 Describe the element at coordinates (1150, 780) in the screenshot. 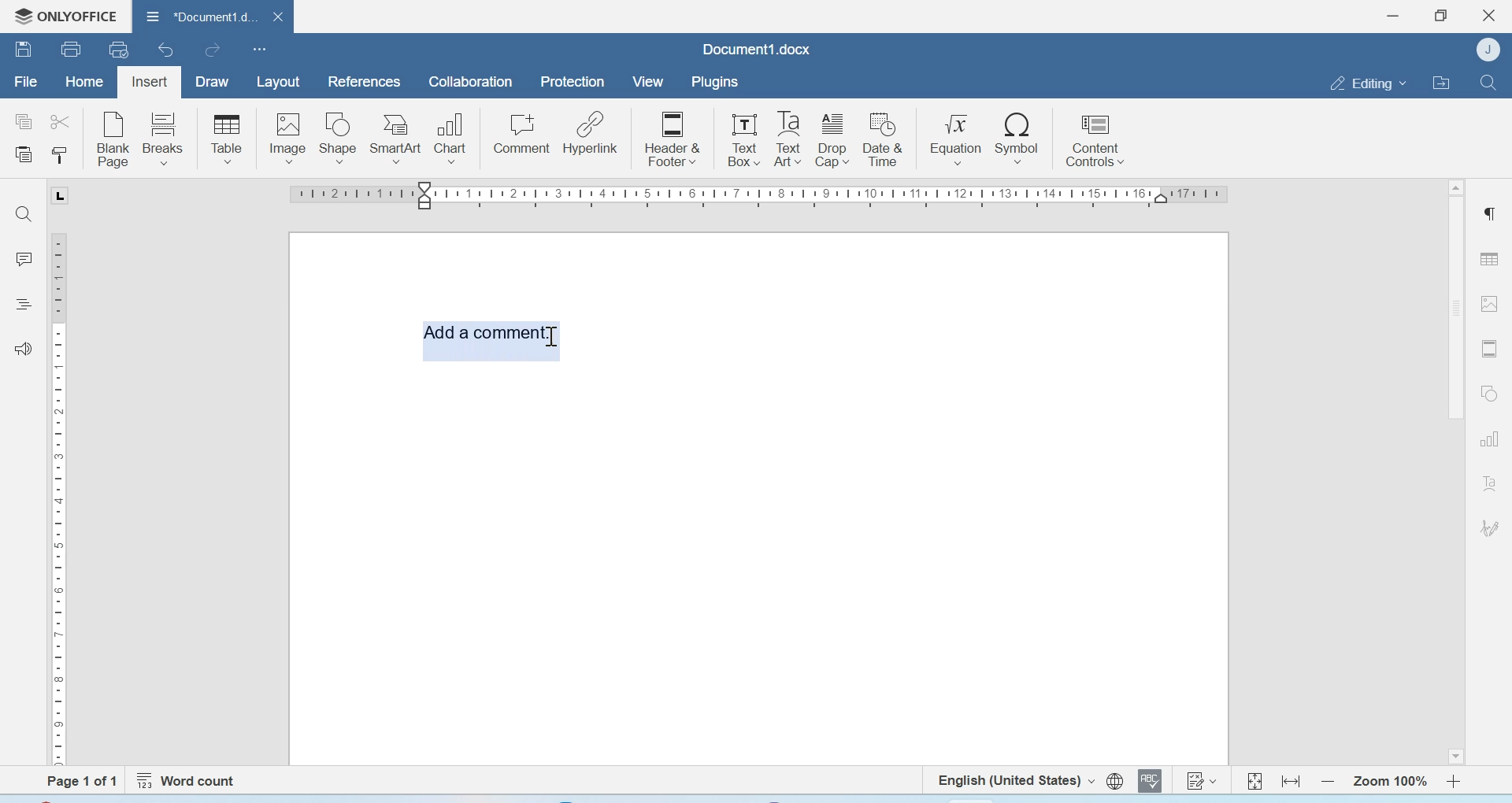

I see `Spell checking` at that location.